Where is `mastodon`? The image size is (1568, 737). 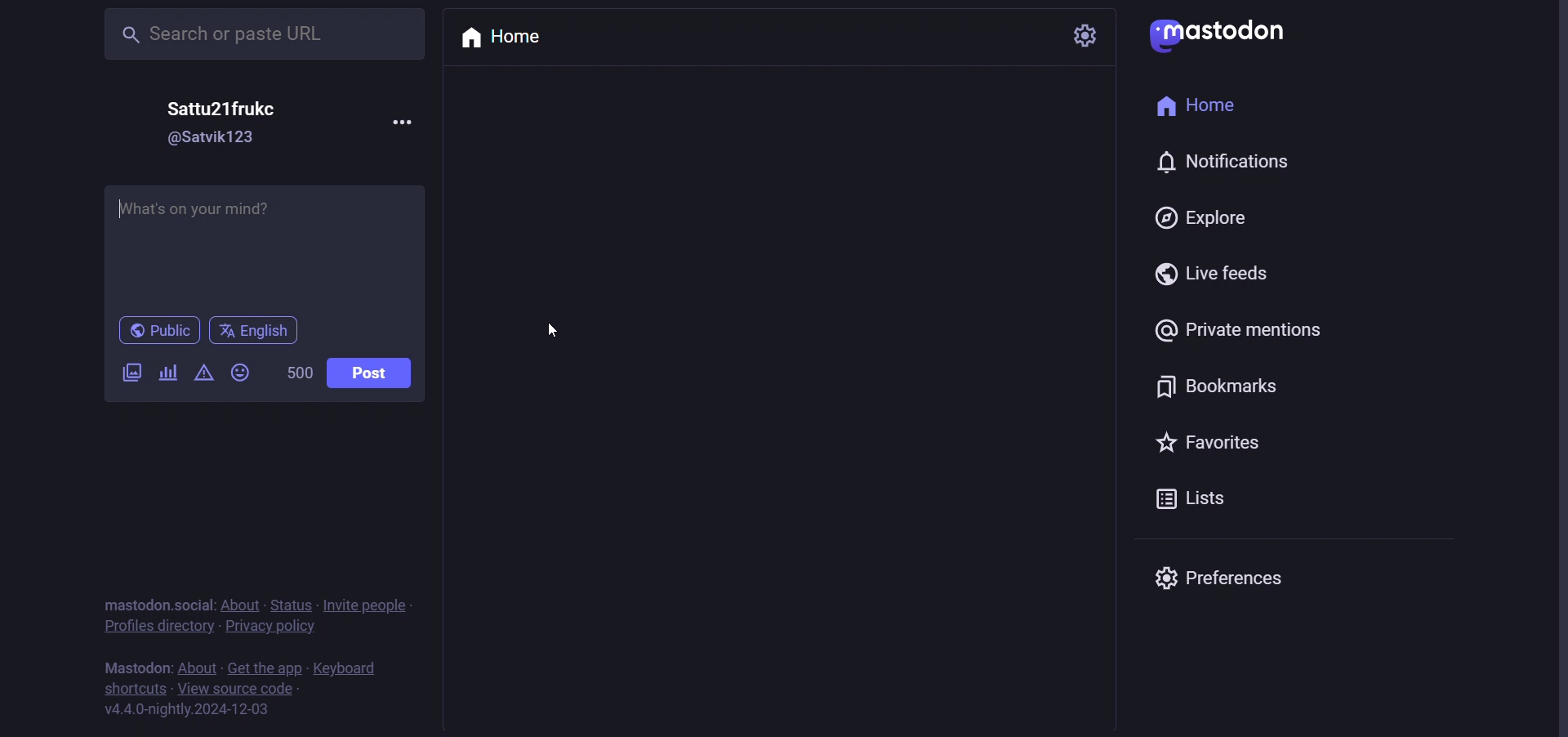
mastodon is located at coordinates (134, 667).